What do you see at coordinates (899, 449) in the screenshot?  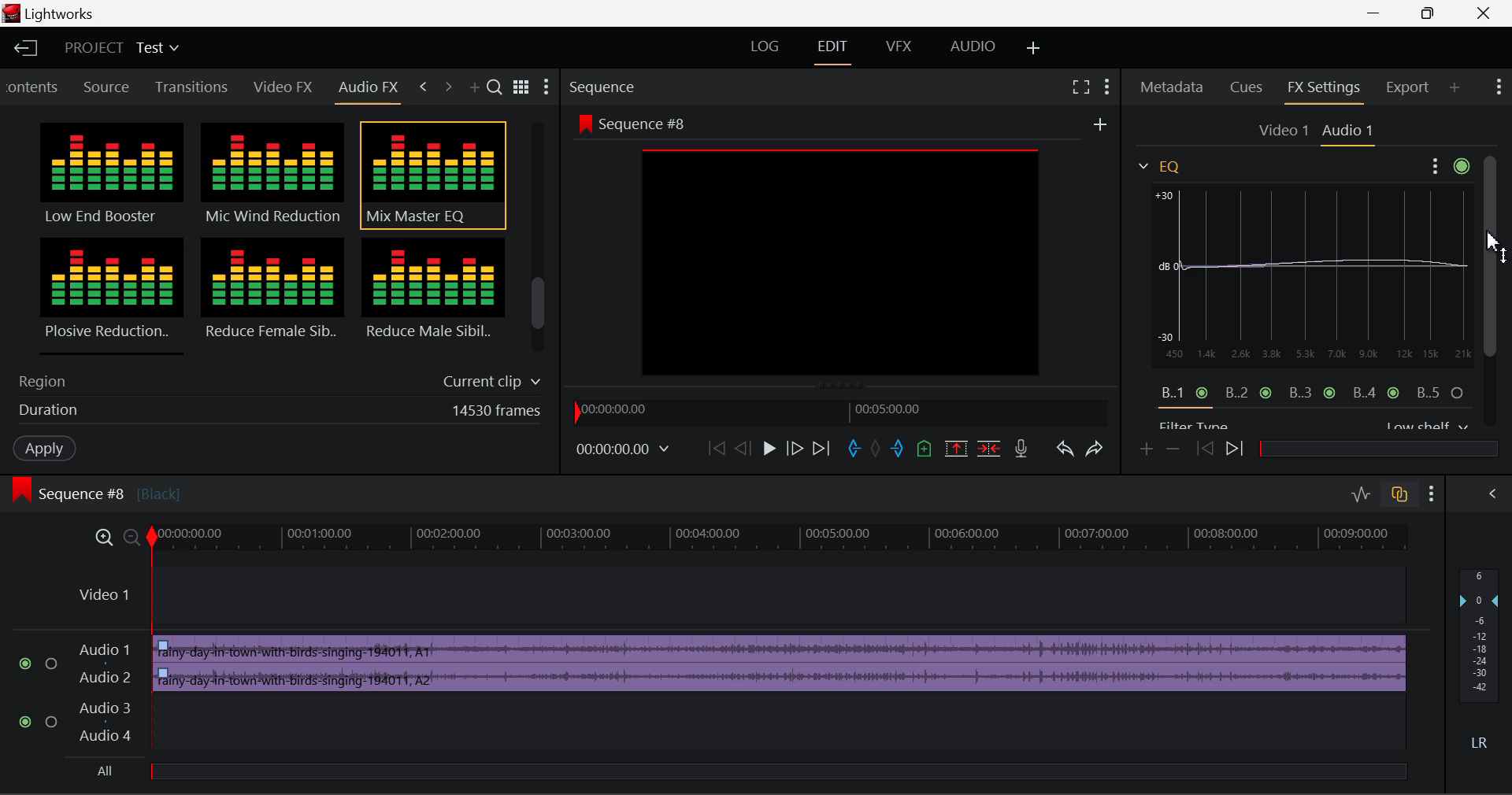 I see `Mart Out` at bounding box center [899, 449].